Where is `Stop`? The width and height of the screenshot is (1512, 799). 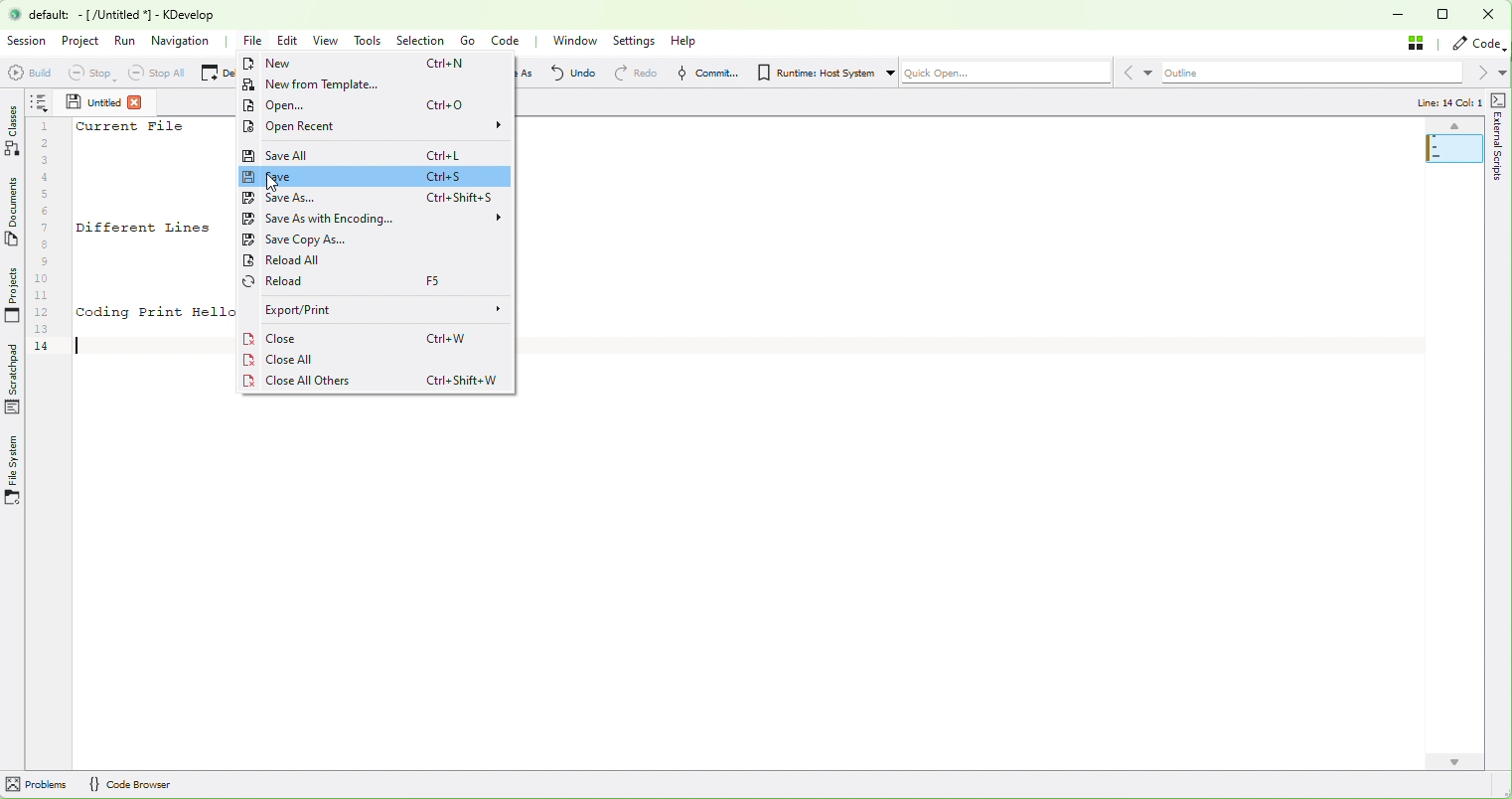
Stop is located at coordinates (83, 74).